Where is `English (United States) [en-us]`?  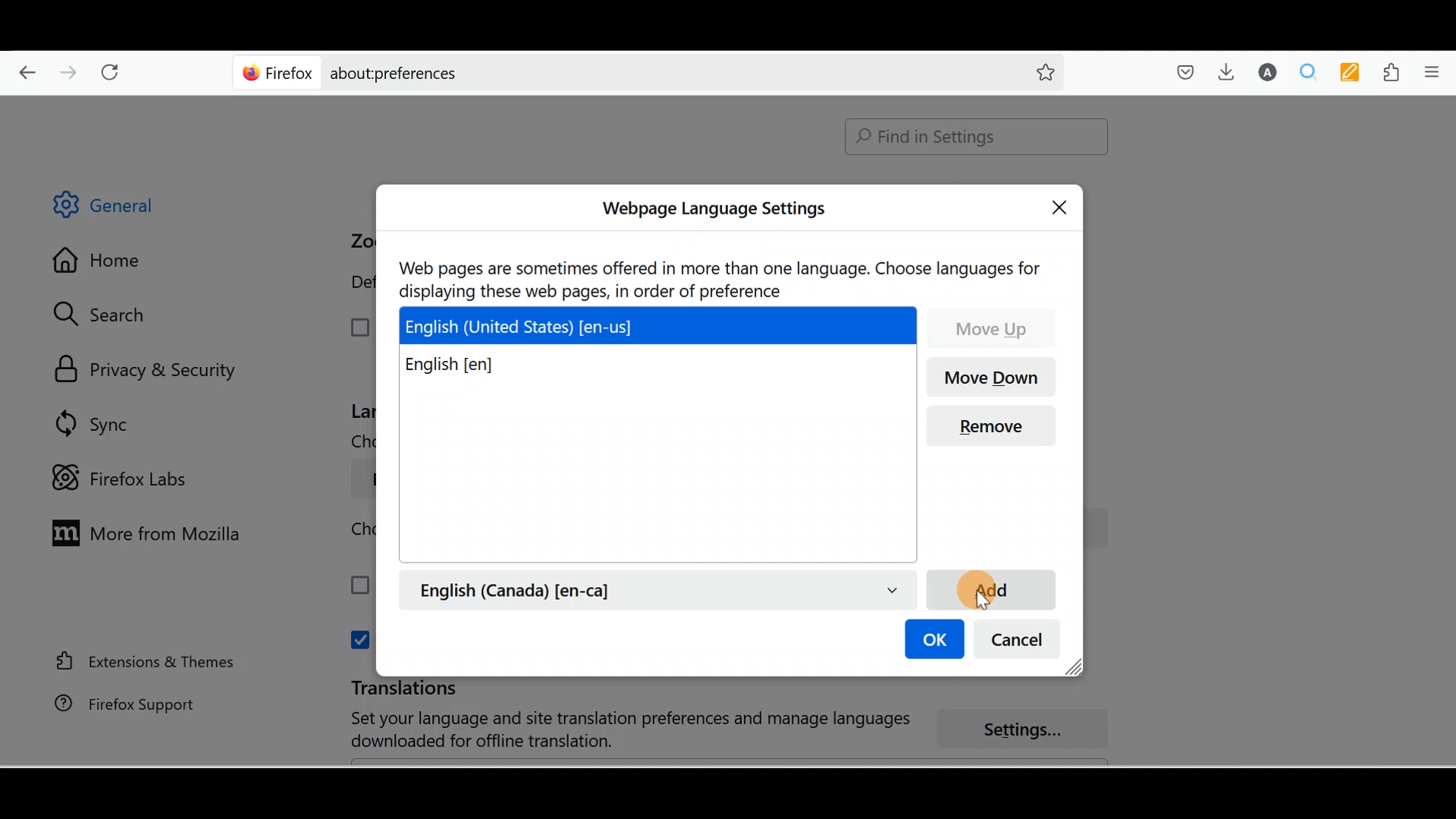
English (United States) [en-us] is located at coordinates (661, 324).